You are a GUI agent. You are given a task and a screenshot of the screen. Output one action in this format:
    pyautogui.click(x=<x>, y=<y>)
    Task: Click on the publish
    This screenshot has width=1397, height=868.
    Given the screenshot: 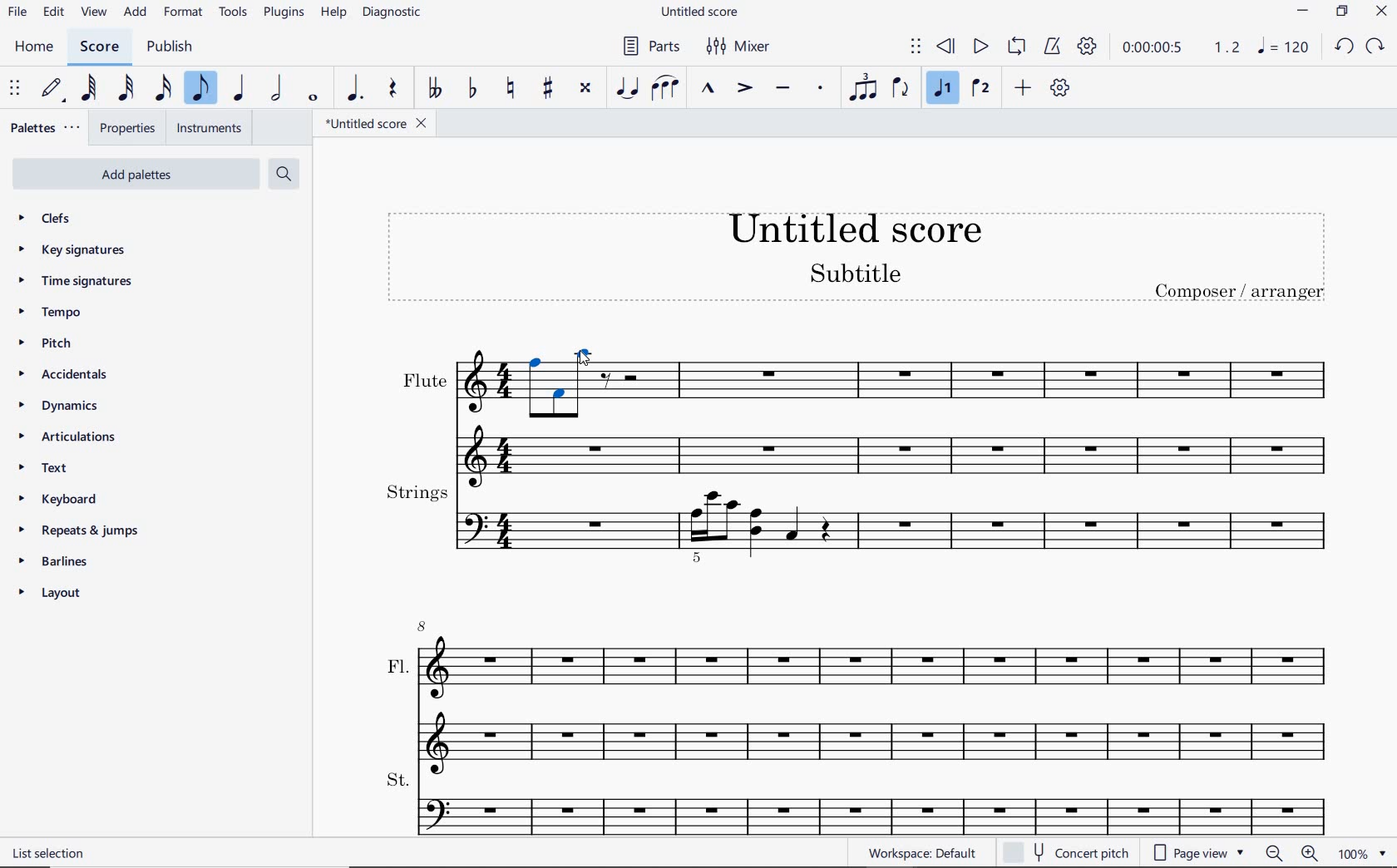 What is the action you would take?
    pyautogui.click(x=169, y=47)
    